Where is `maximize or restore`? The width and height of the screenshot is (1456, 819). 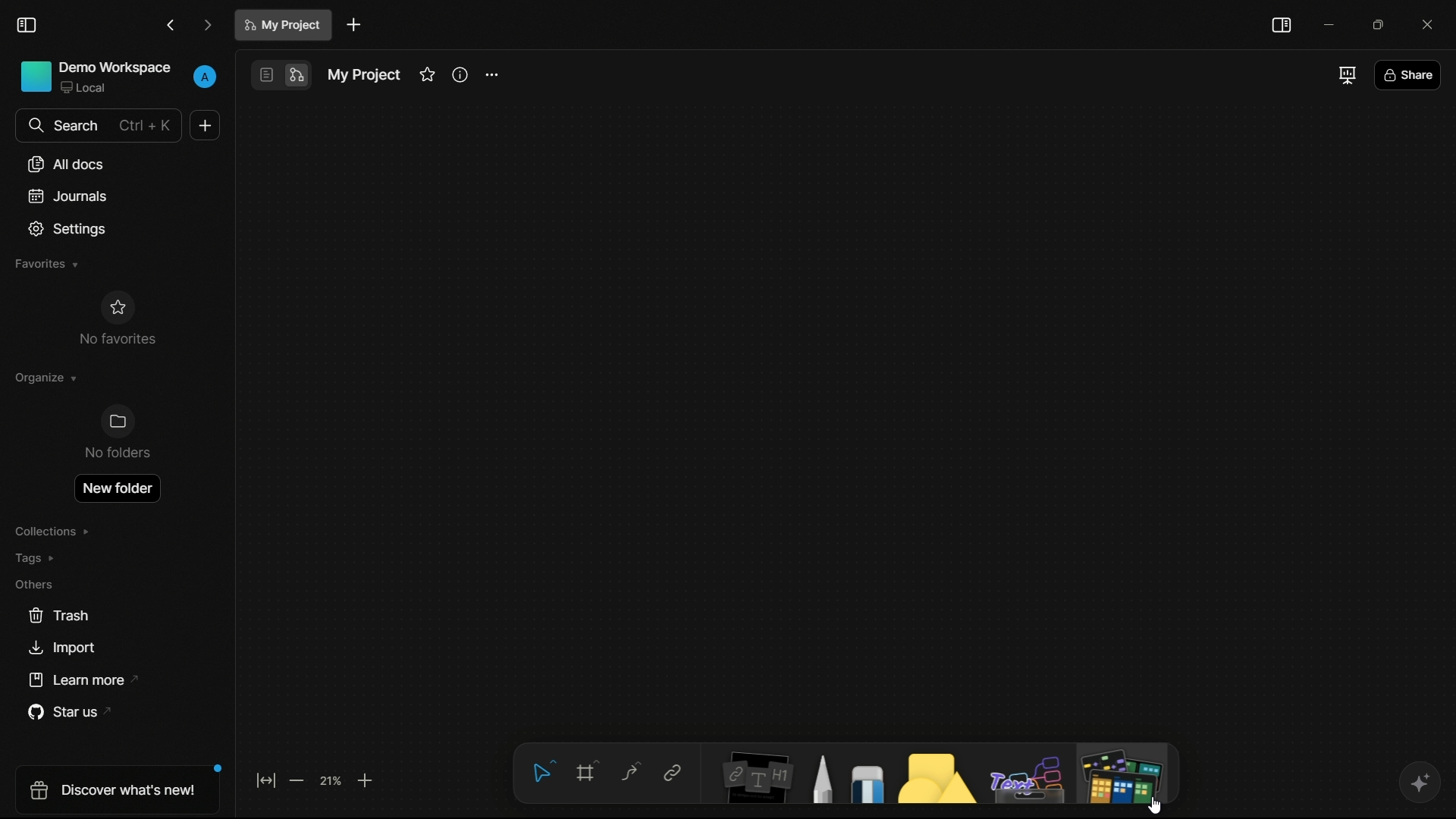
maximize or restore is located at coordinates (1376, 23).